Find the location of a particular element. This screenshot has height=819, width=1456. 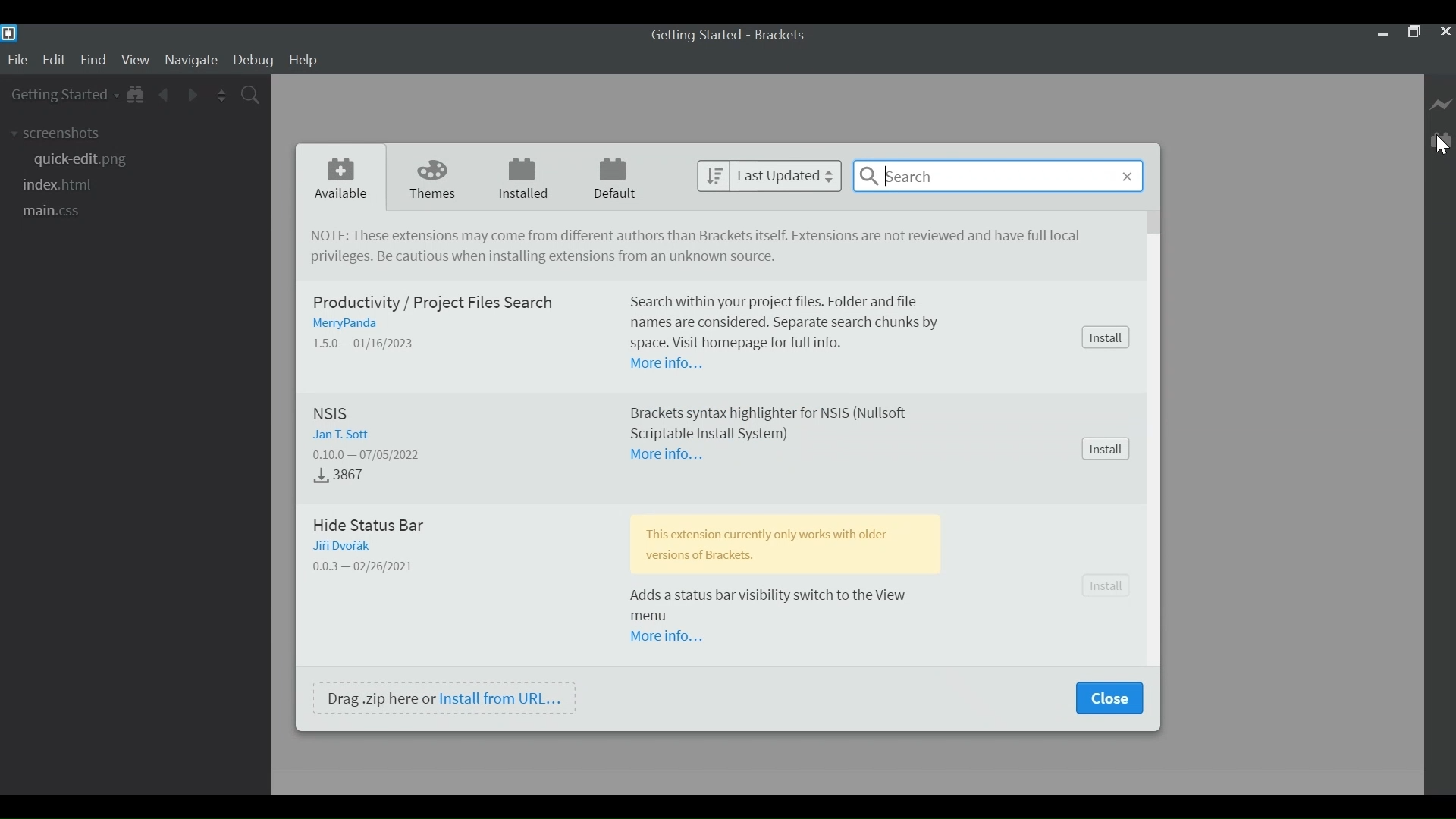

Productivity / Project Files Search is located at coordinates (431, 301).